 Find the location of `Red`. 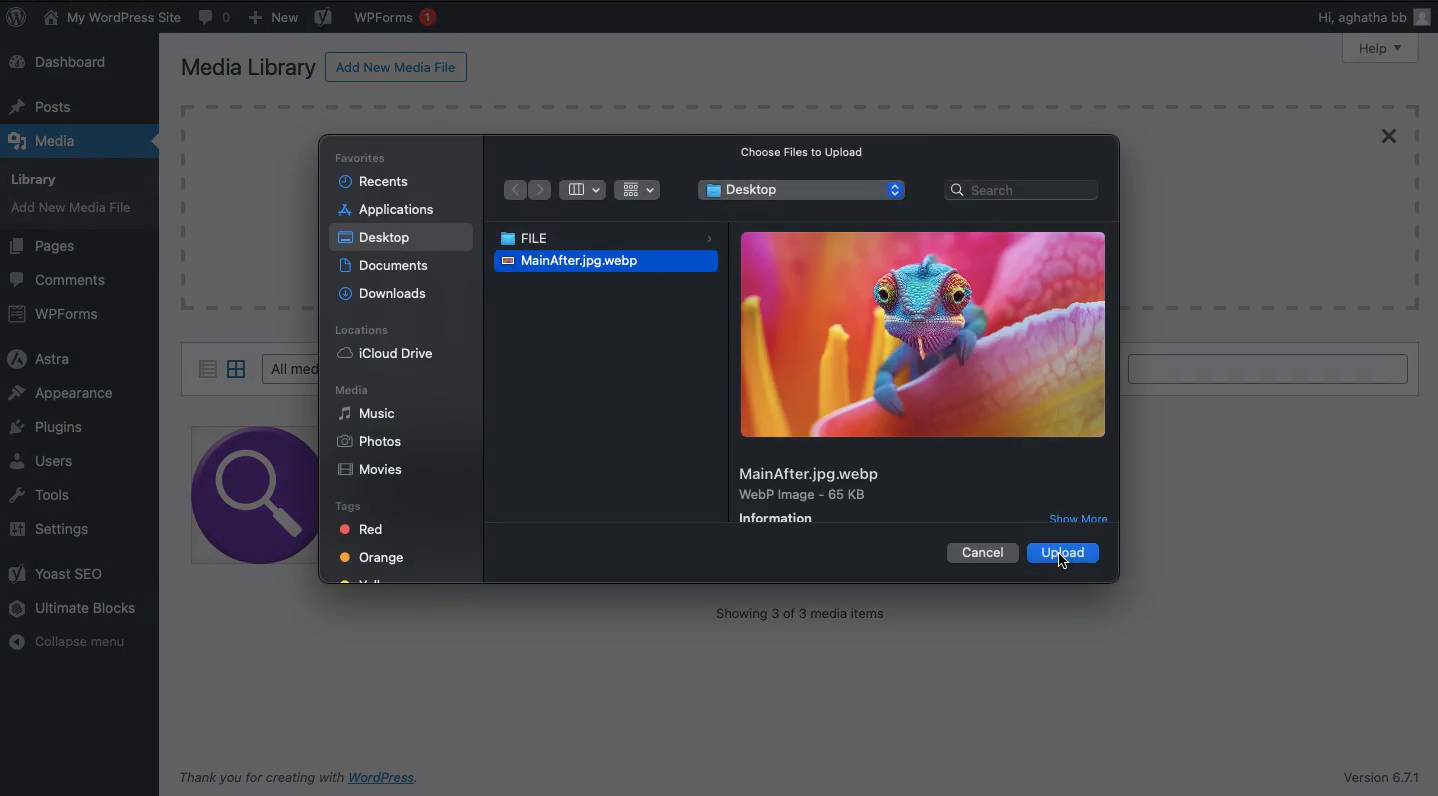

Red is located at coordinates (354, 531).